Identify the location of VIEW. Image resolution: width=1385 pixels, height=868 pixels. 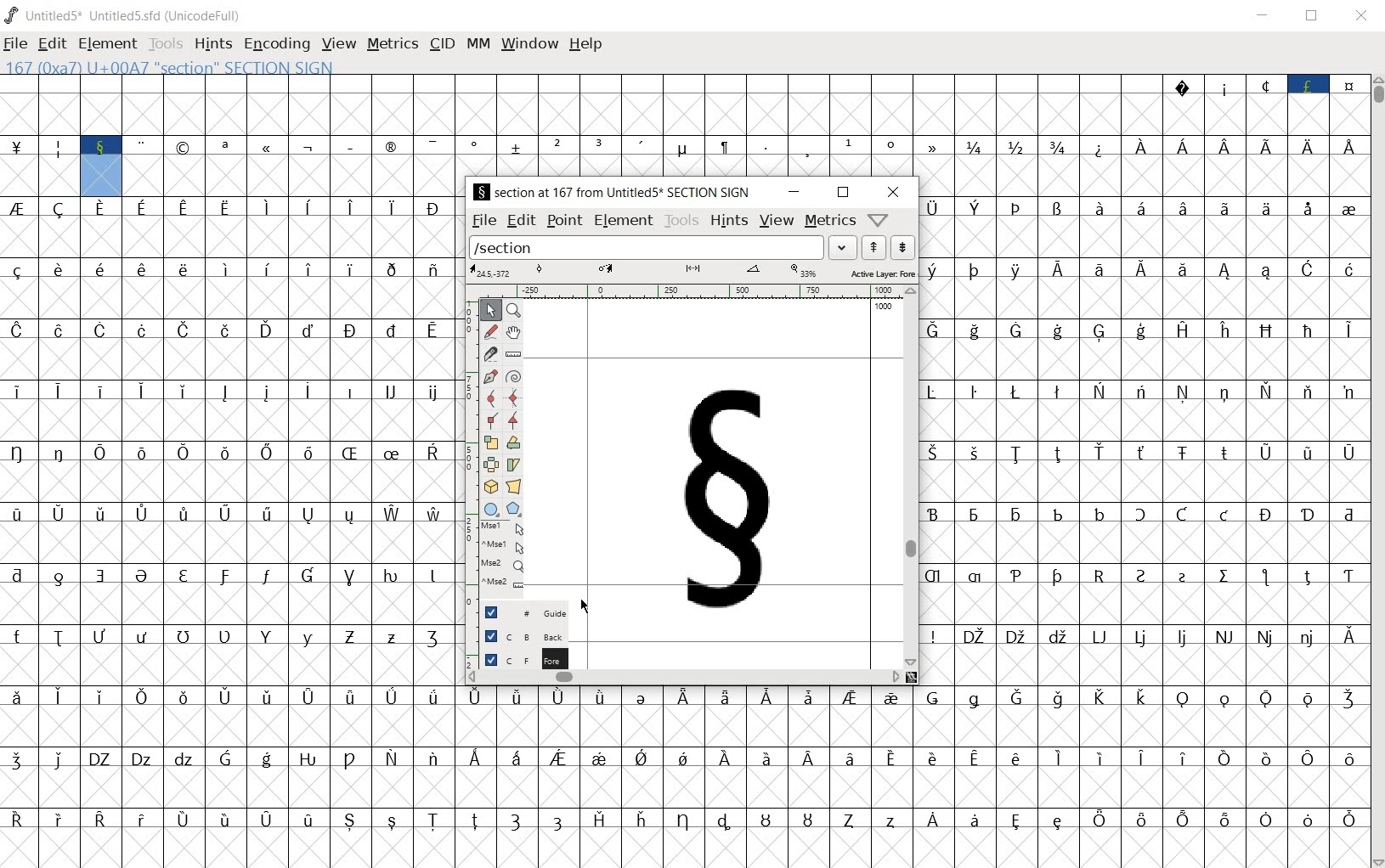
(339, 45).